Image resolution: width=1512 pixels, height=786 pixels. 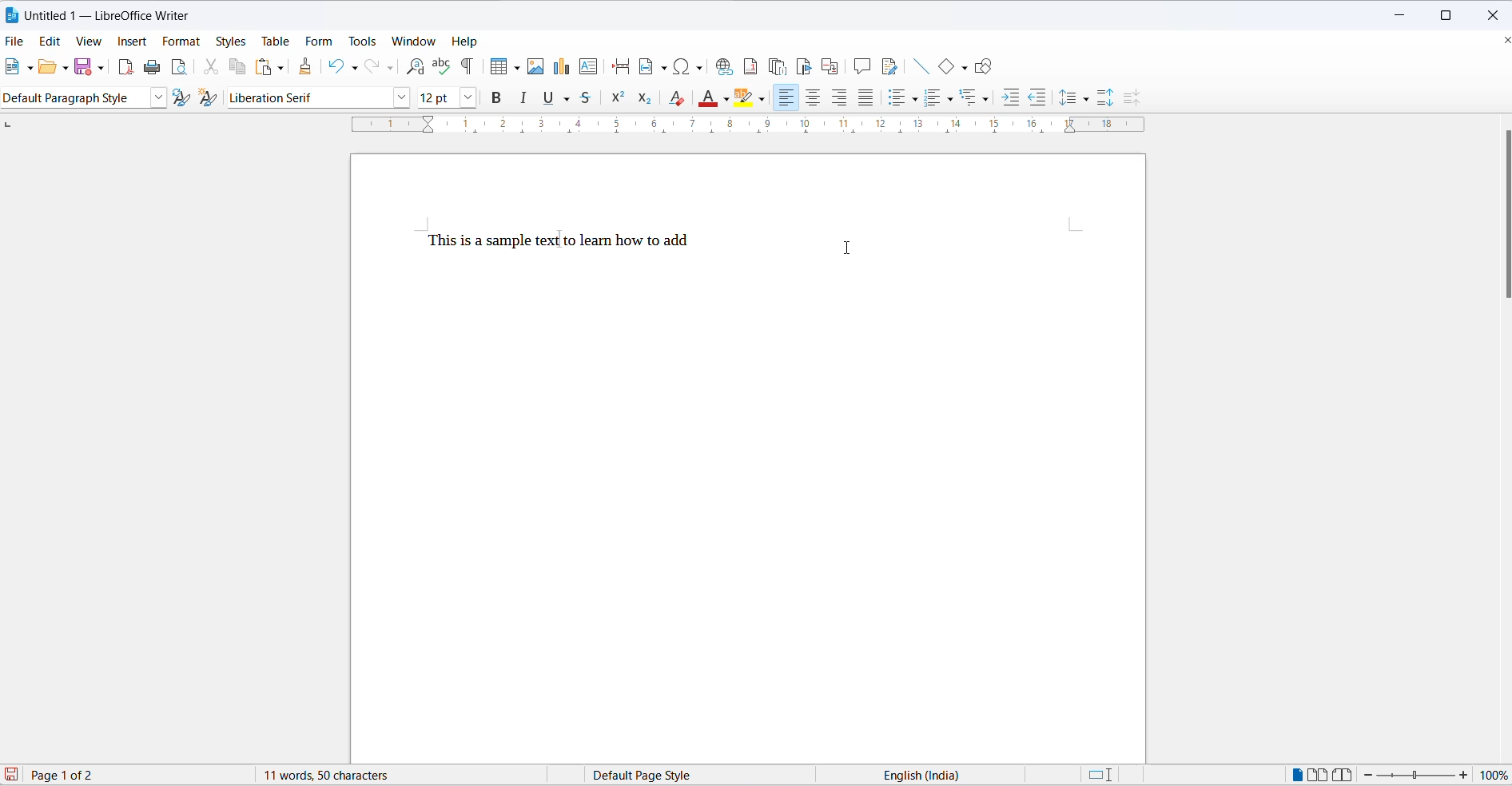 I want to click on minimze, so click(x=1403, y=12).